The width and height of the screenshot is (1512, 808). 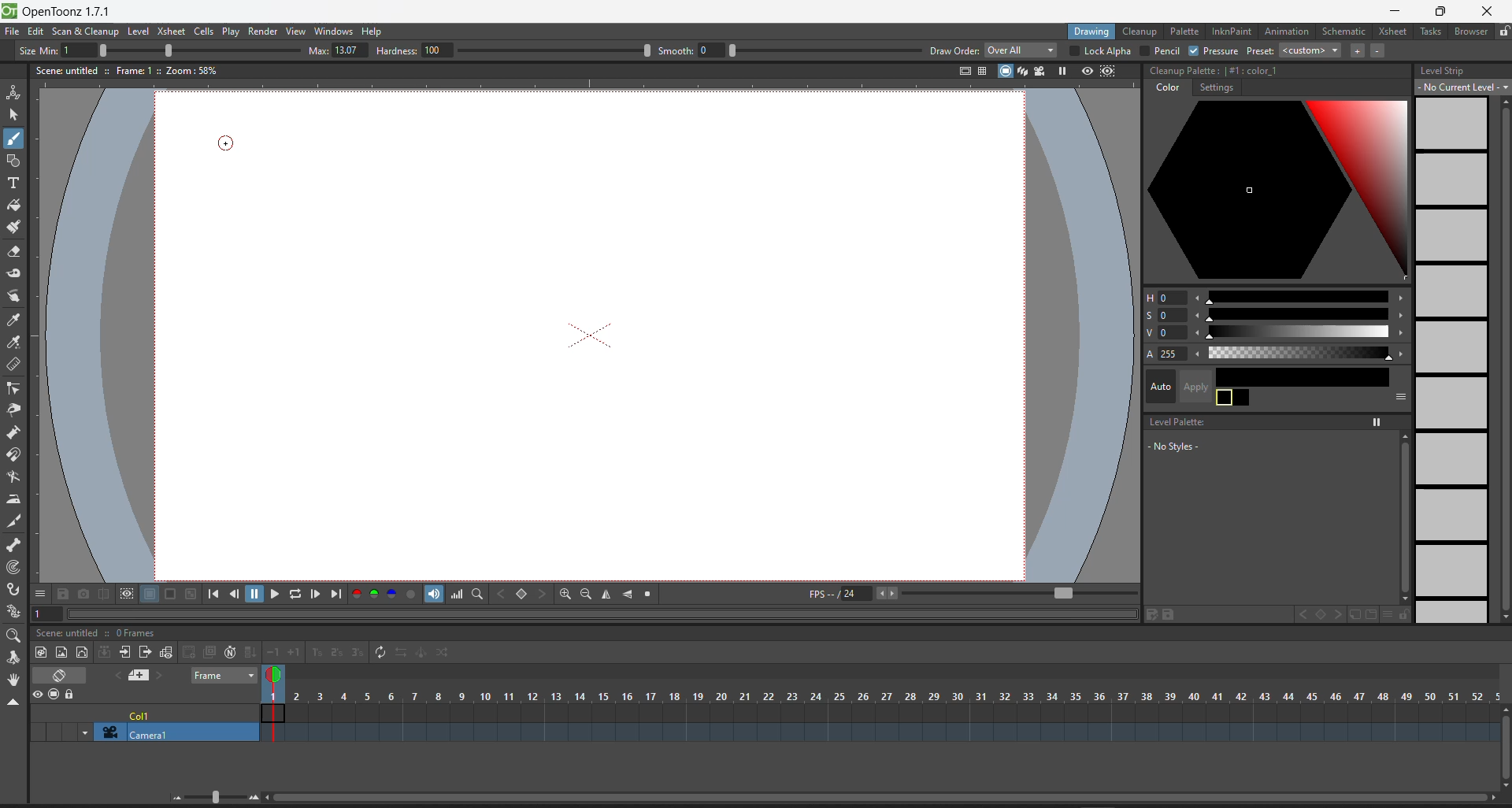 I want to click on cells, so click(x=204, y=32).